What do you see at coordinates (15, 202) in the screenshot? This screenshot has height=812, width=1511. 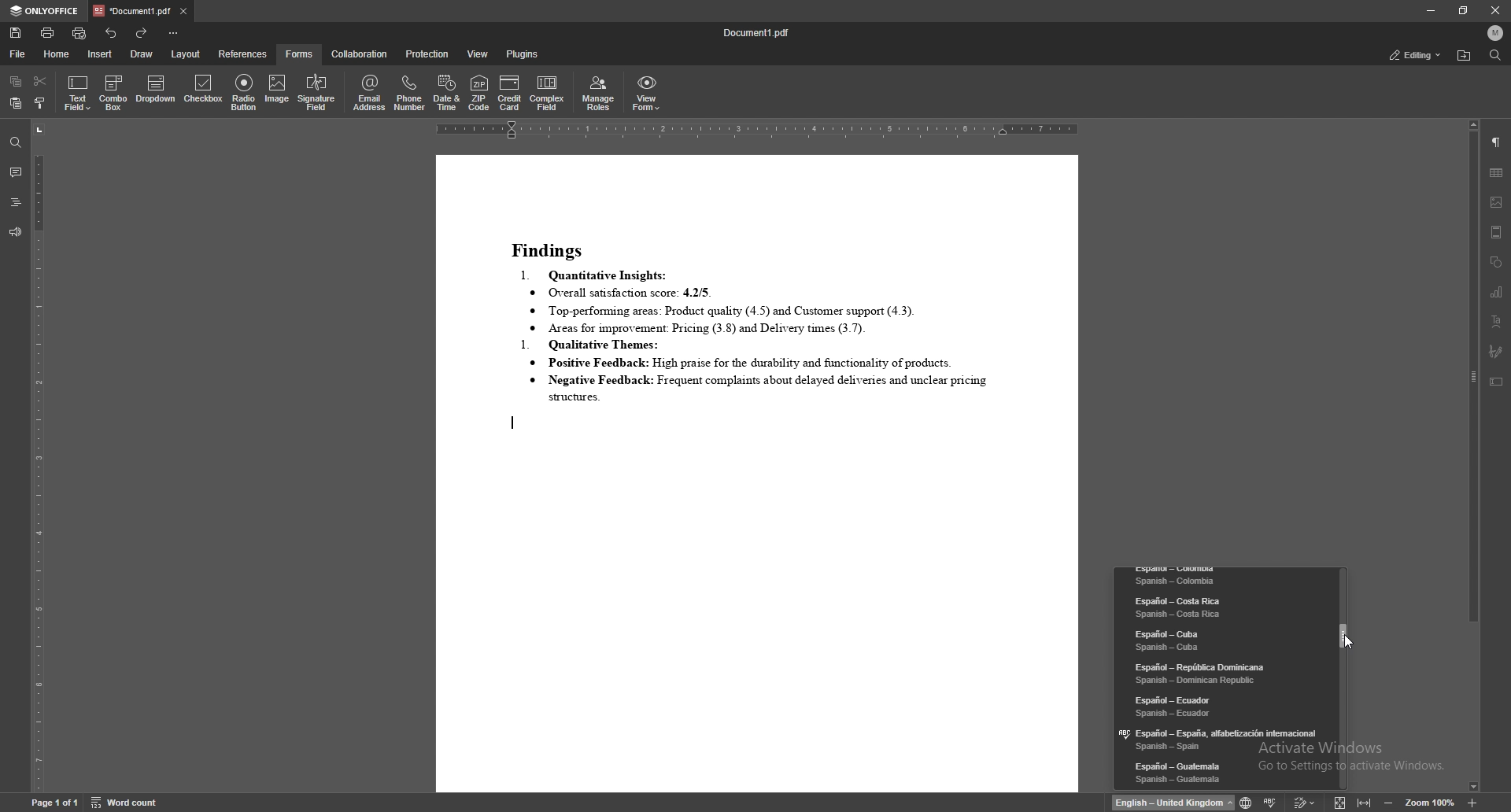 I see `headings` at bounding box center [15, 202].